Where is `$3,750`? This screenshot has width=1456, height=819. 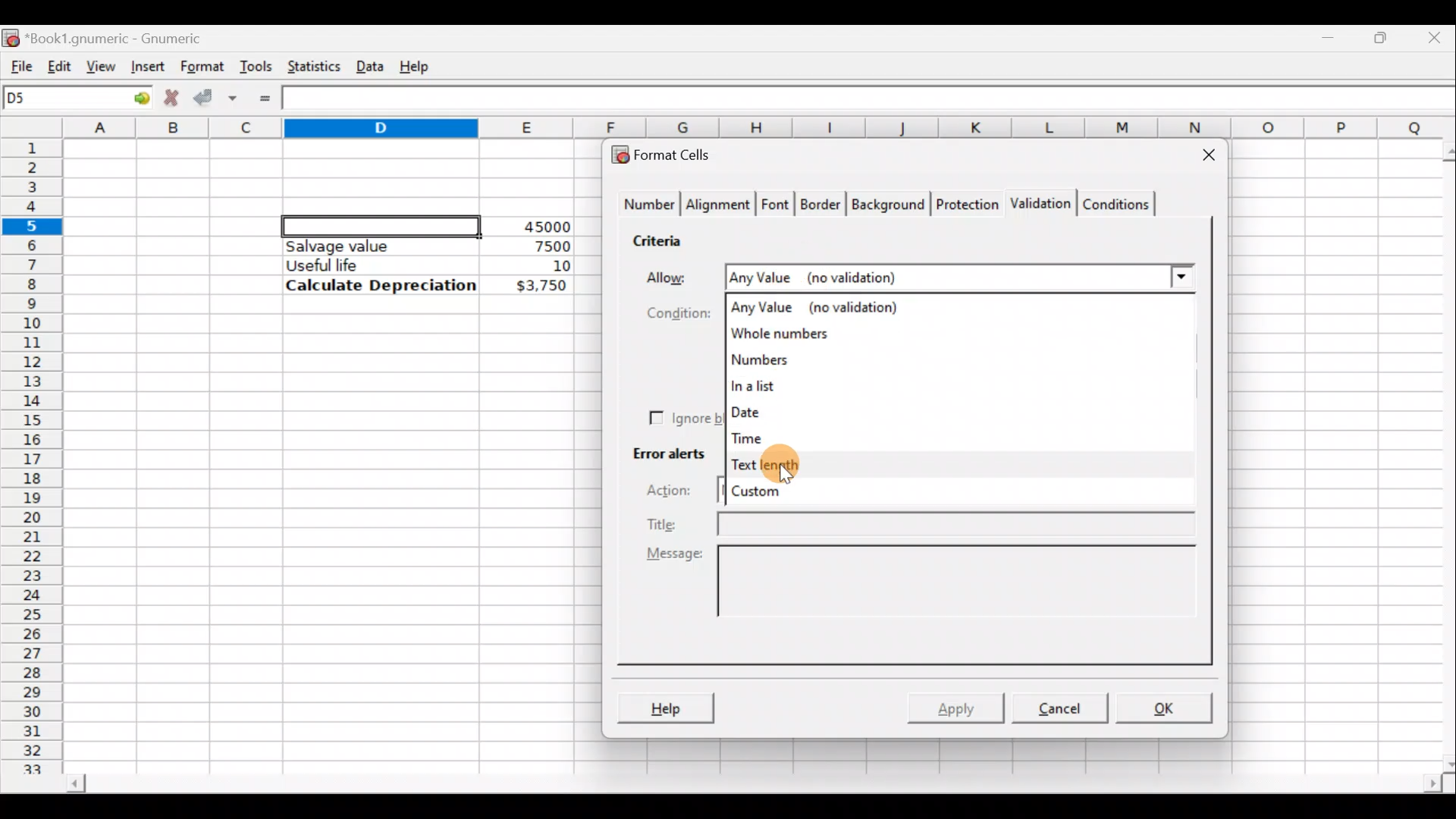 $3,750 is located at coordinates (540, 287).